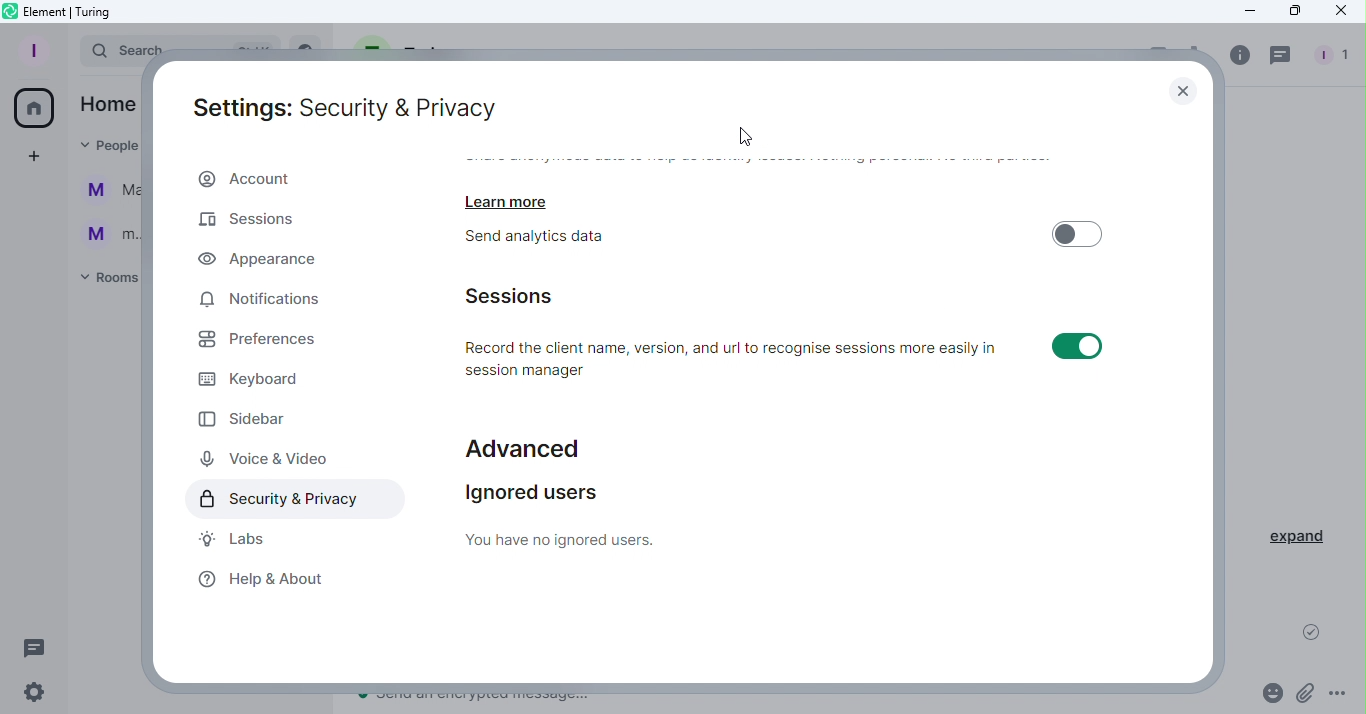 This screenshot has width=1366, height=714. Describe the element at coordinates (109, 52) in the screenshot. I see `Search` at that location.